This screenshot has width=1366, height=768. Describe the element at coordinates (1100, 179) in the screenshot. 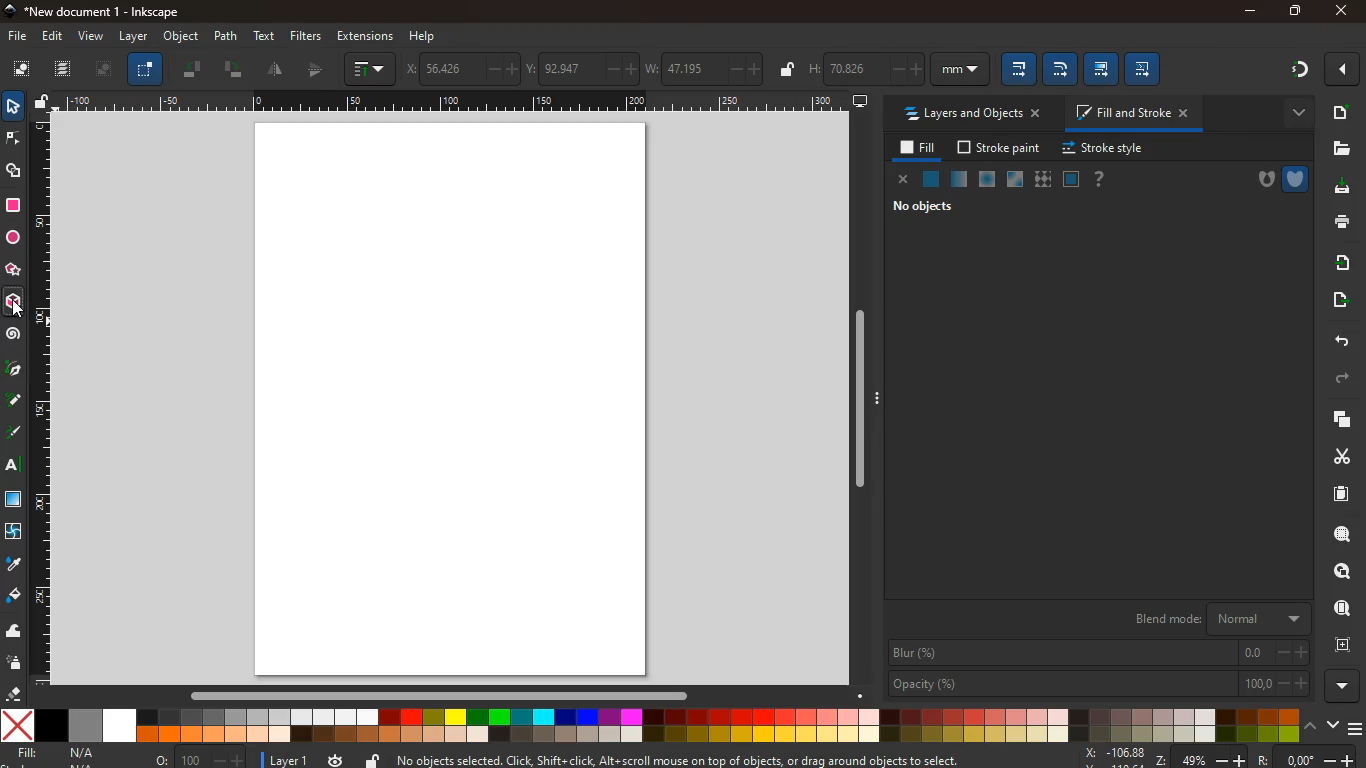

I see `help` at that location.